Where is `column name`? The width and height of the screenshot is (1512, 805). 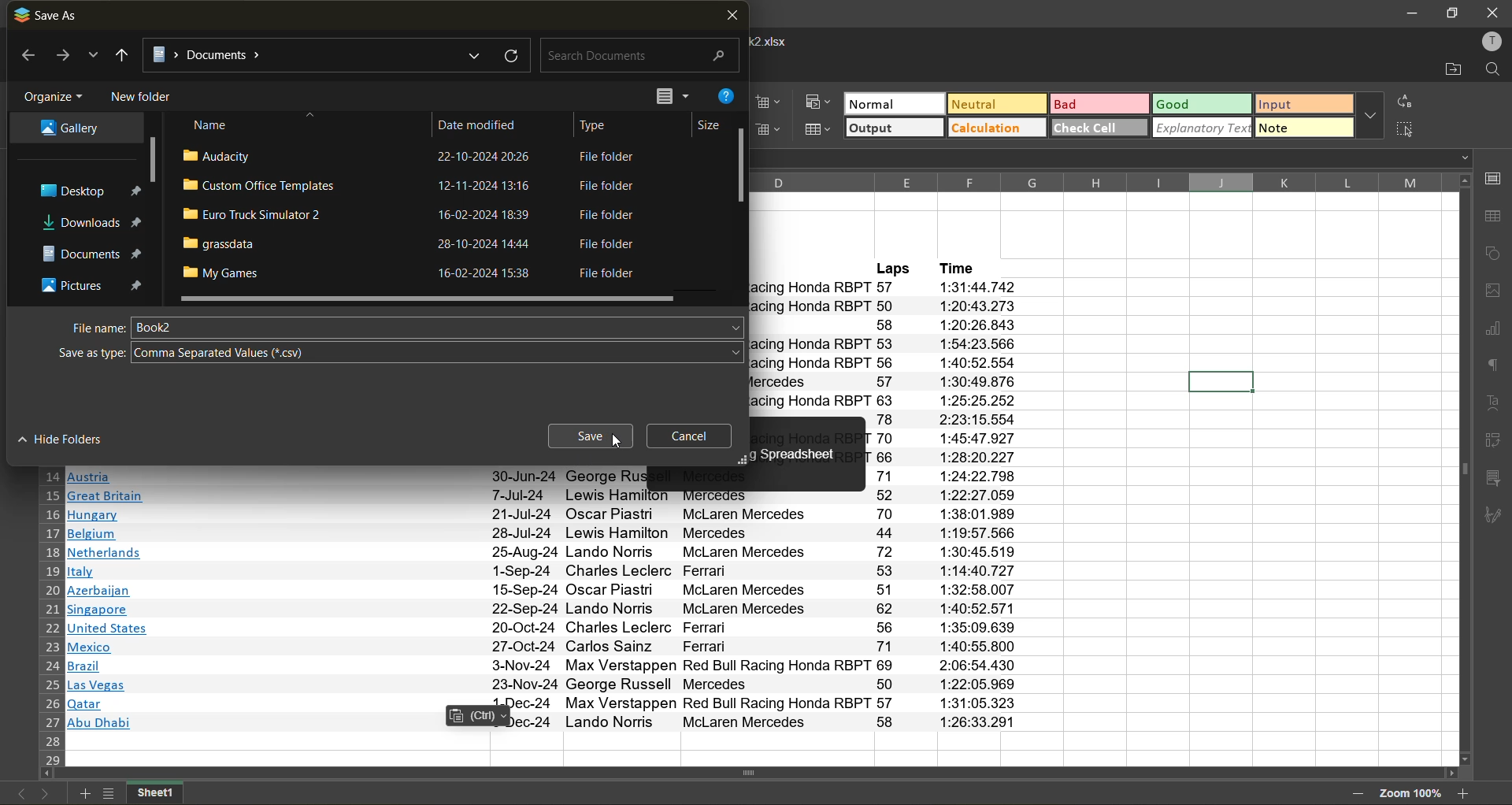
column name is located at coordinates (1095, 181).